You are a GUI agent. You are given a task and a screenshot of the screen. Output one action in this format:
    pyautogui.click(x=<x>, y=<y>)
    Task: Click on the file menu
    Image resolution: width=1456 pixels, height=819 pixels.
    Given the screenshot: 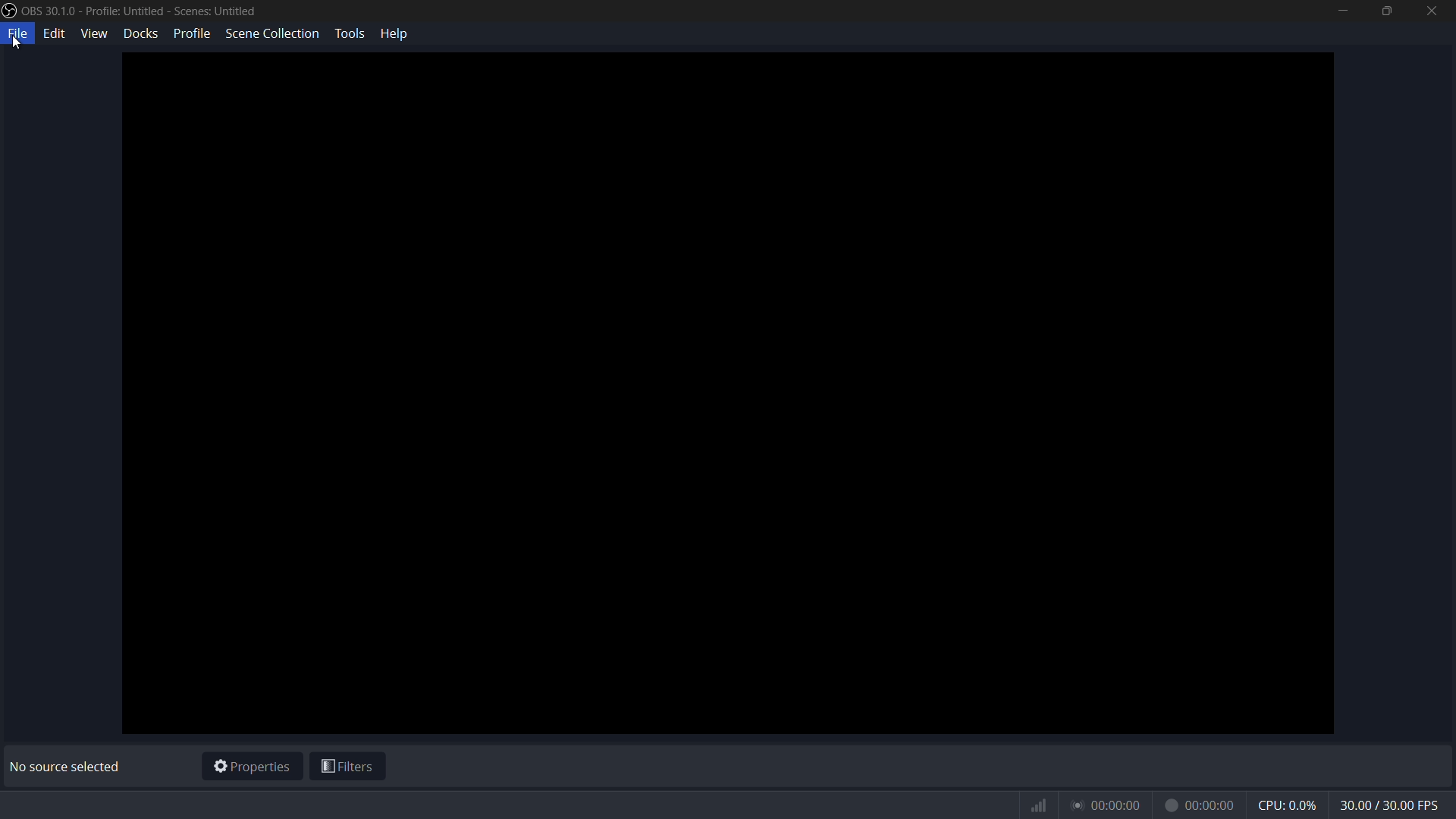 What is the action you would take?
    pyautogui.click(x=18, y=34)
    